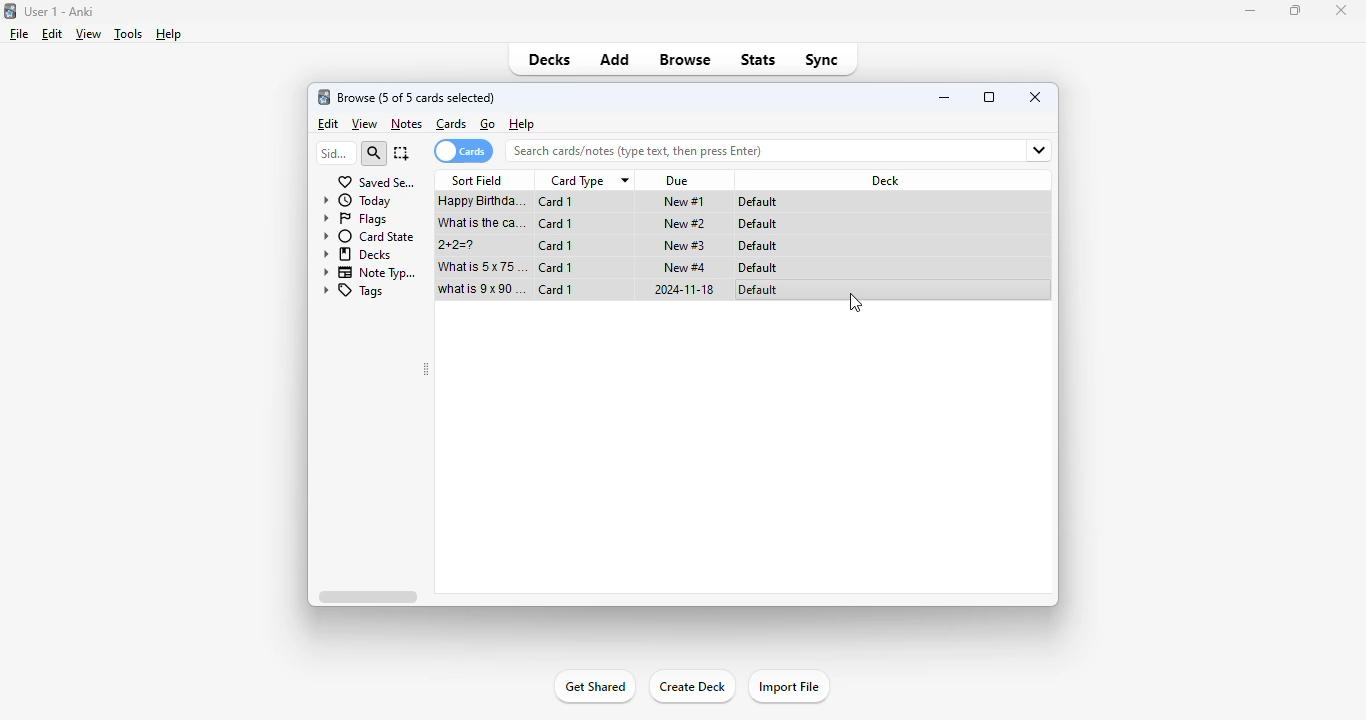 This screenshot has height=720, width=1366. Describe the element at coordinates (588, 181) in the screenshot. I see `card type` at that location.